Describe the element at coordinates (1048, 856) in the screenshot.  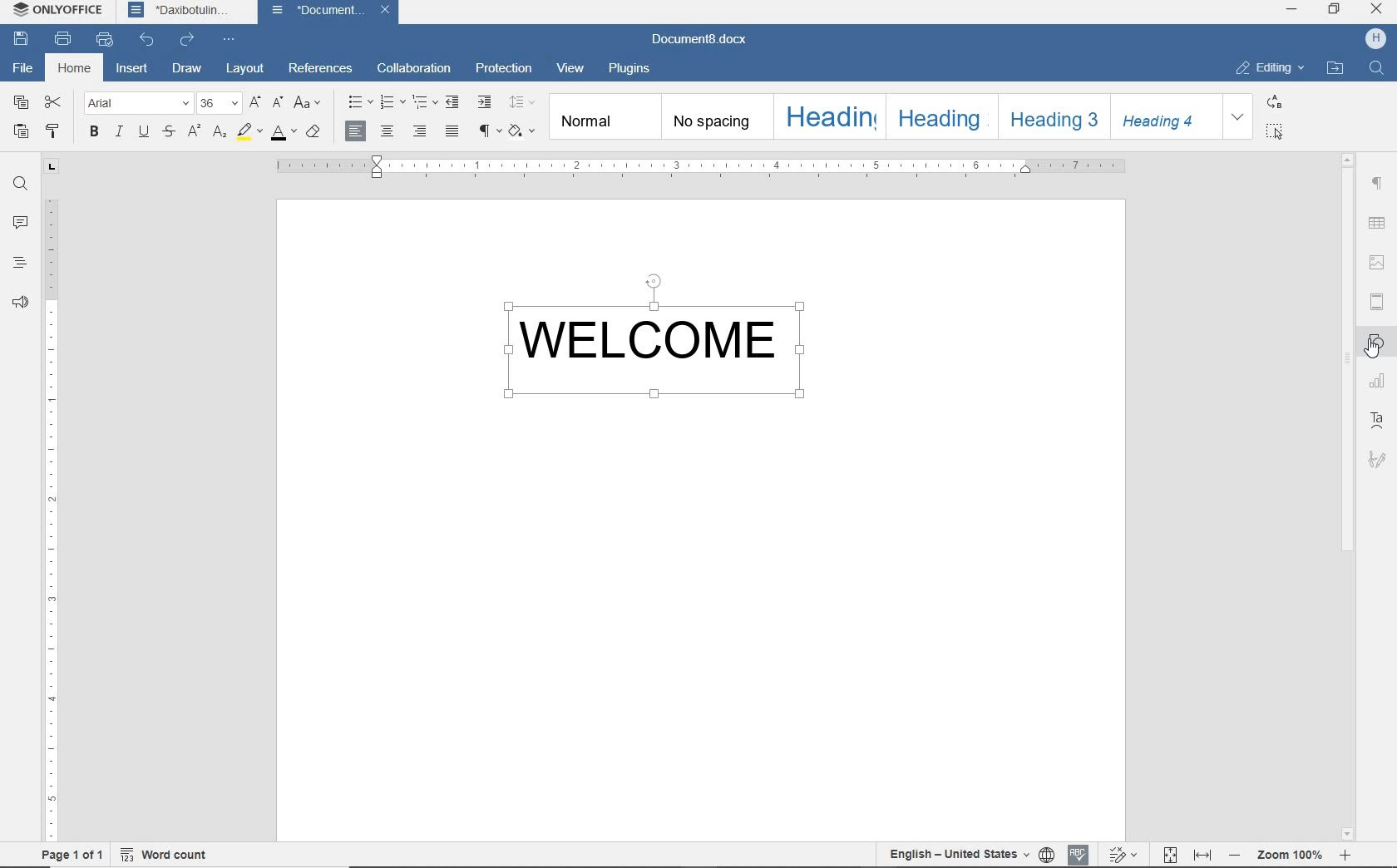
I see `SET DOCUMENT LANGUAGE` at that location.